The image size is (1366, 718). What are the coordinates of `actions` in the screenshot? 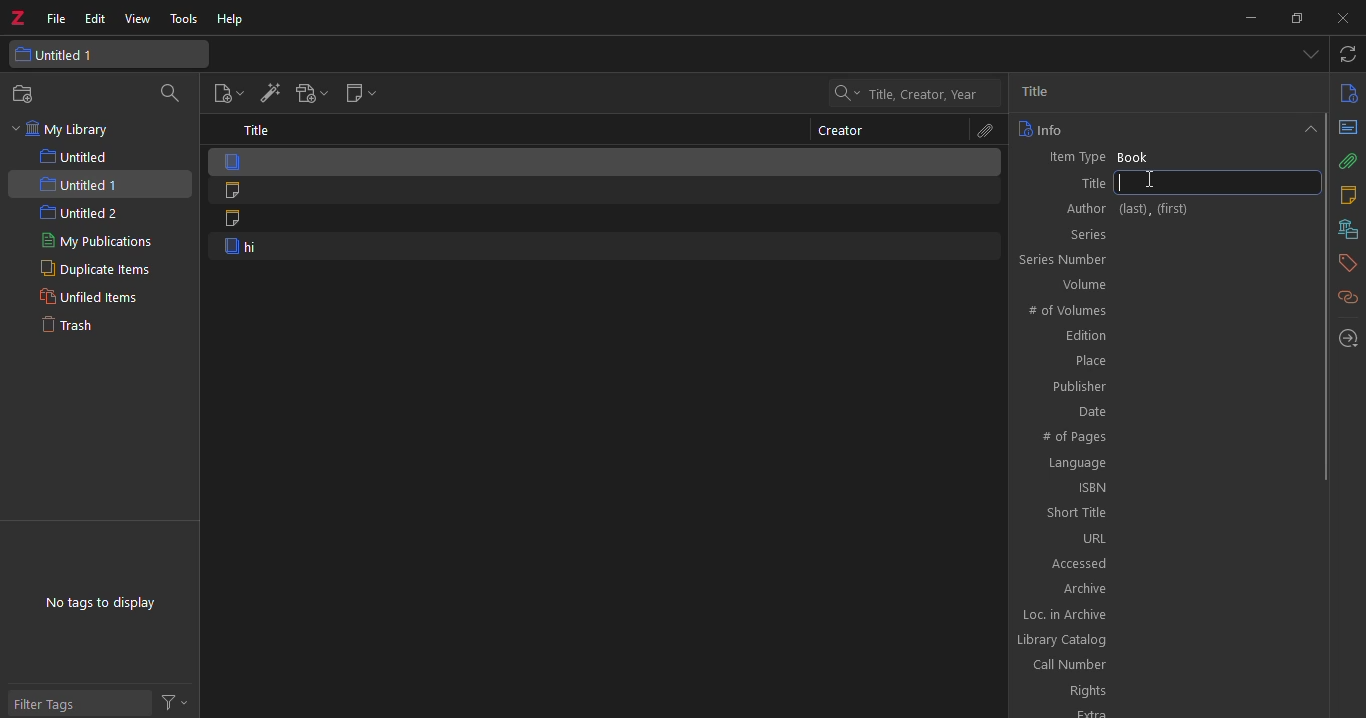 It's located at (179, 701).